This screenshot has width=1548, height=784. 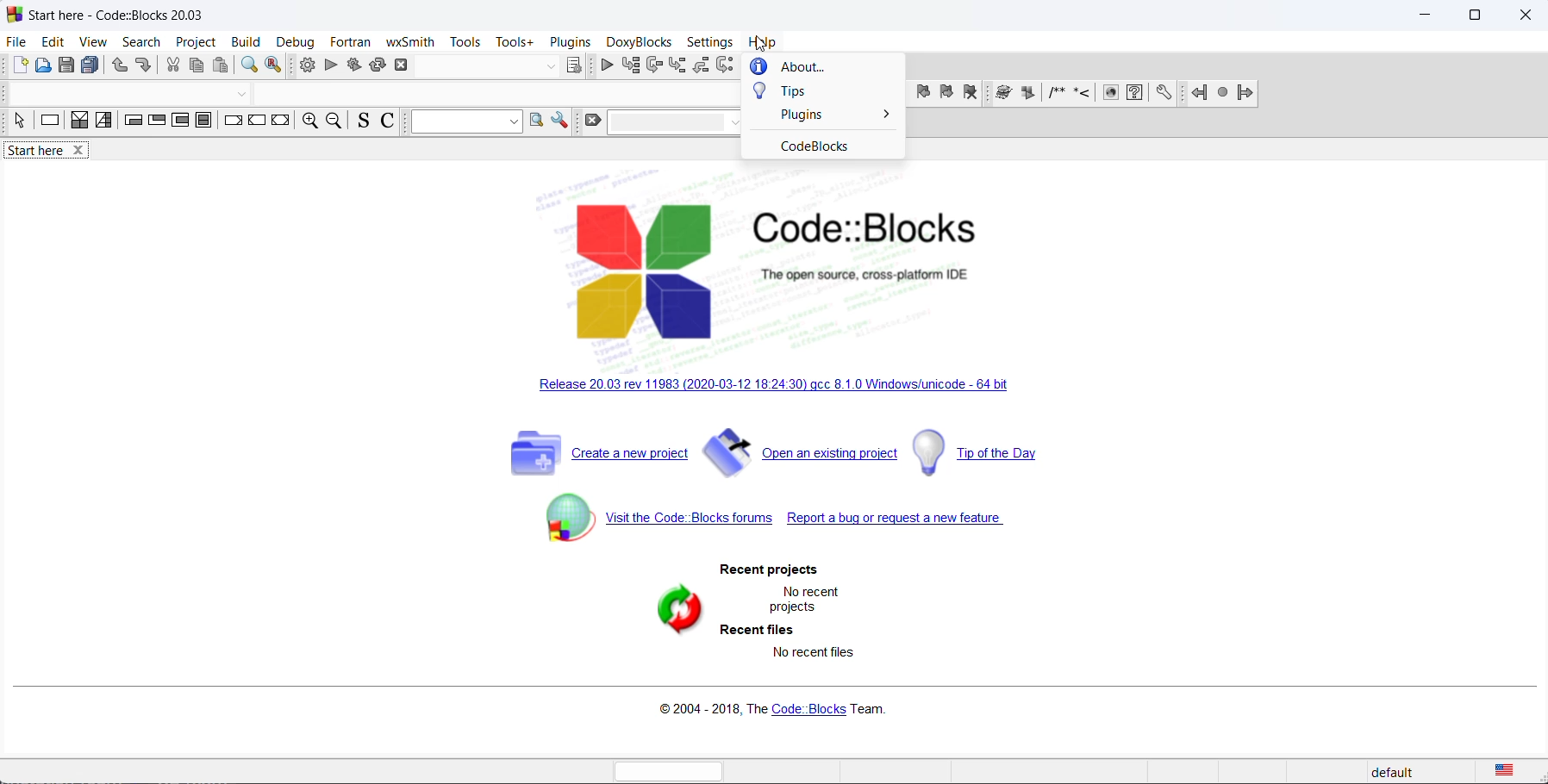 What do you see at coordinates (754, 630) in the screenshot?
I see `recent files` at bounding box center [754, 630].